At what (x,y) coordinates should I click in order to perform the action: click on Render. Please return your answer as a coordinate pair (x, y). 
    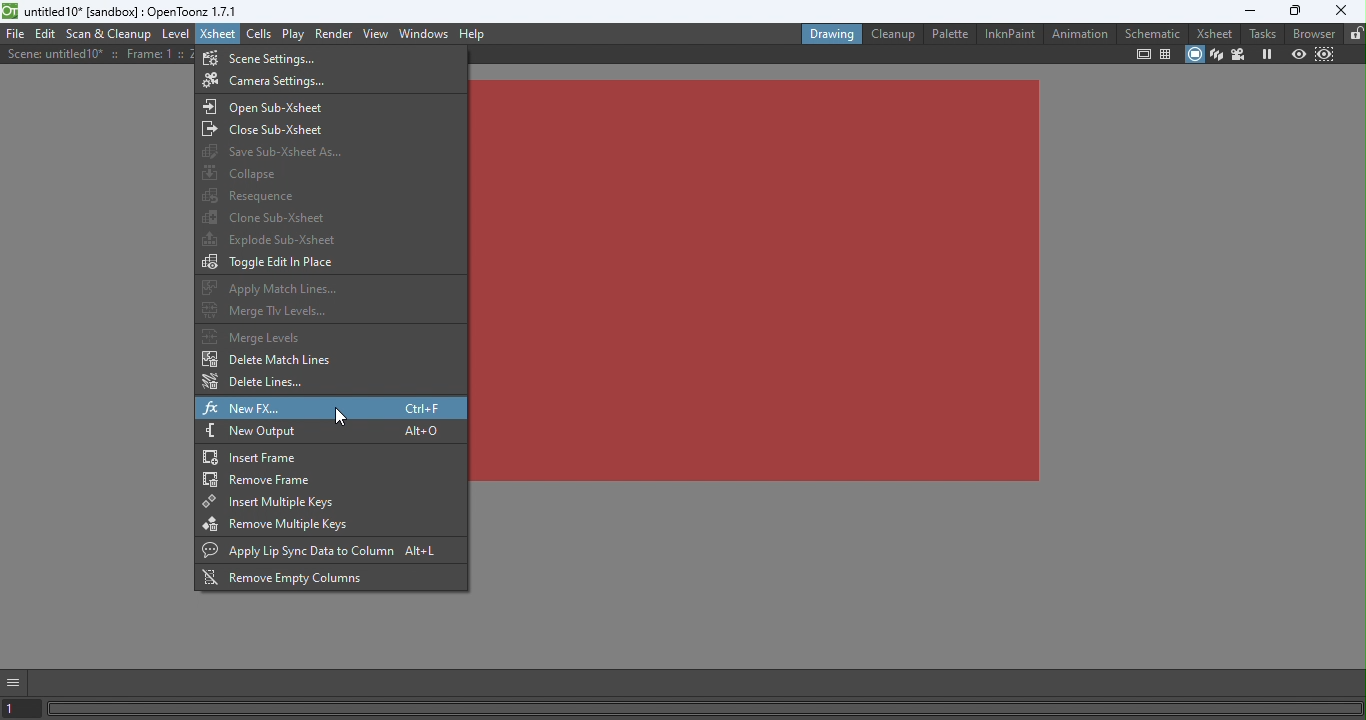
    Looking at the image, I should click on (336, 32).